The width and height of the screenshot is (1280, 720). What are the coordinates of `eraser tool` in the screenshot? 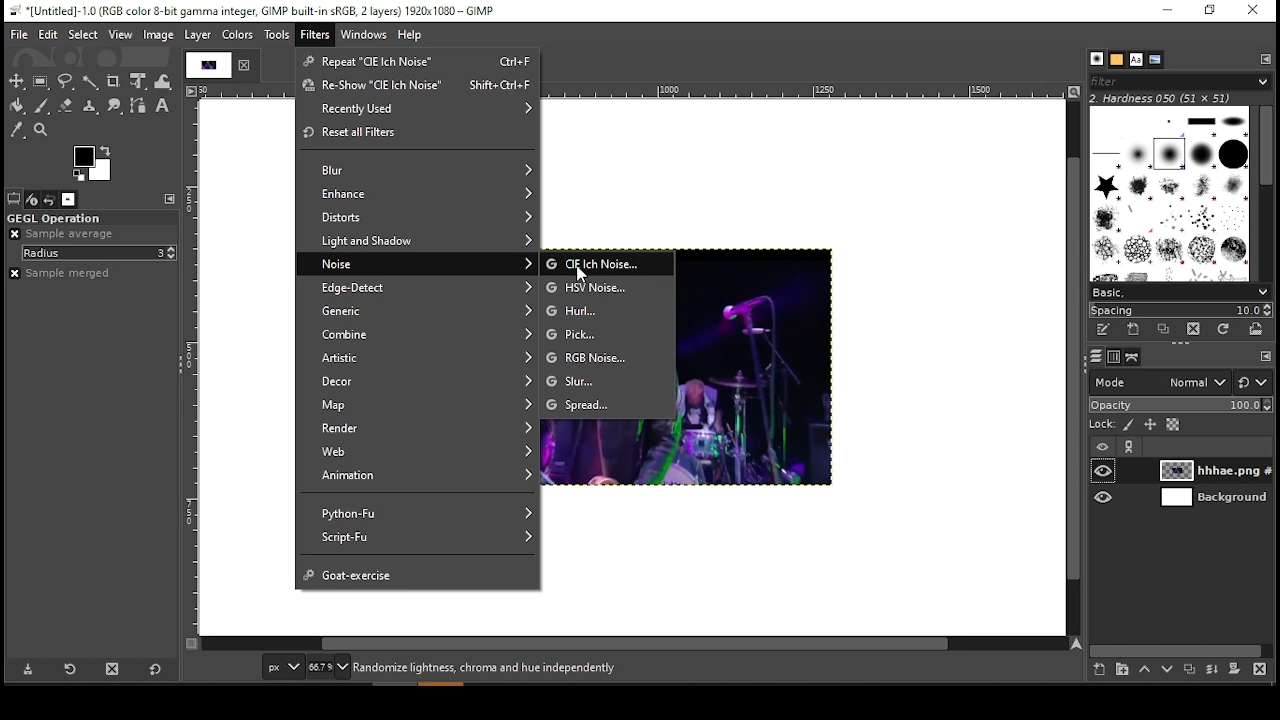 It's located at (64, 105).